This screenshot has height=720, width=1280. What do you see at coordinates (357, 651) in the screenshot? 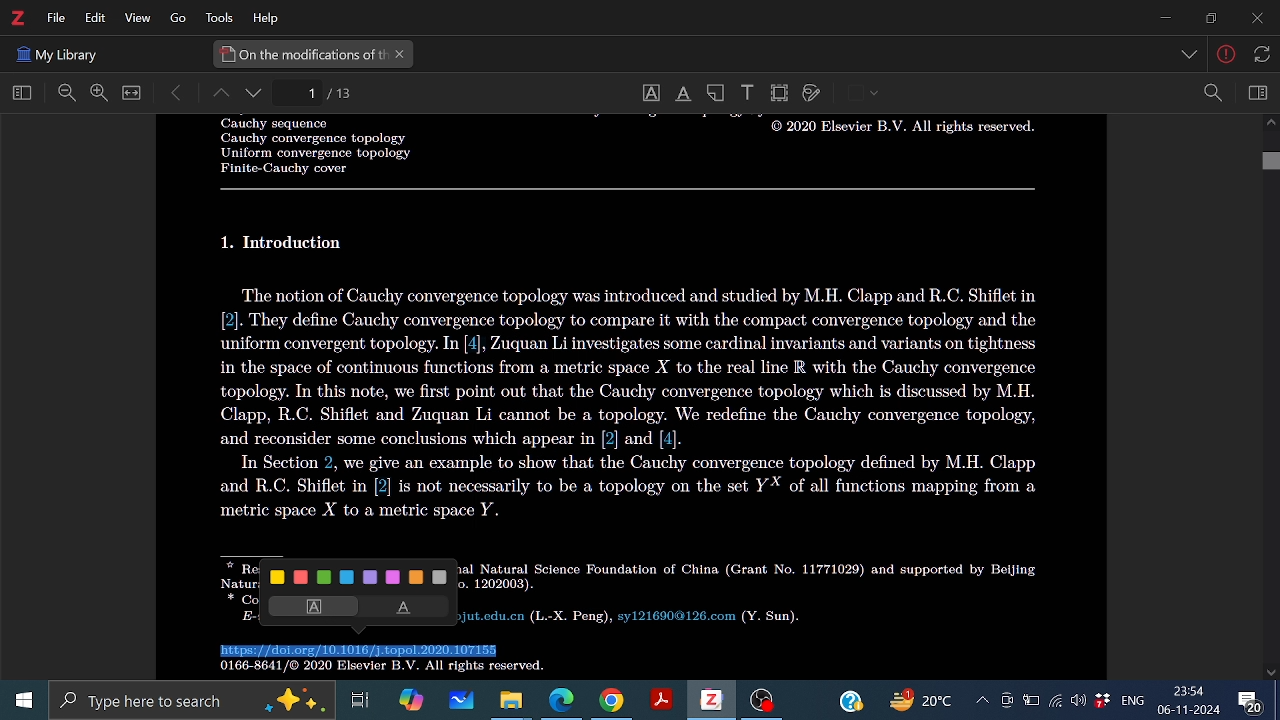
I see `Copied text` at bounding box center [357, 651].